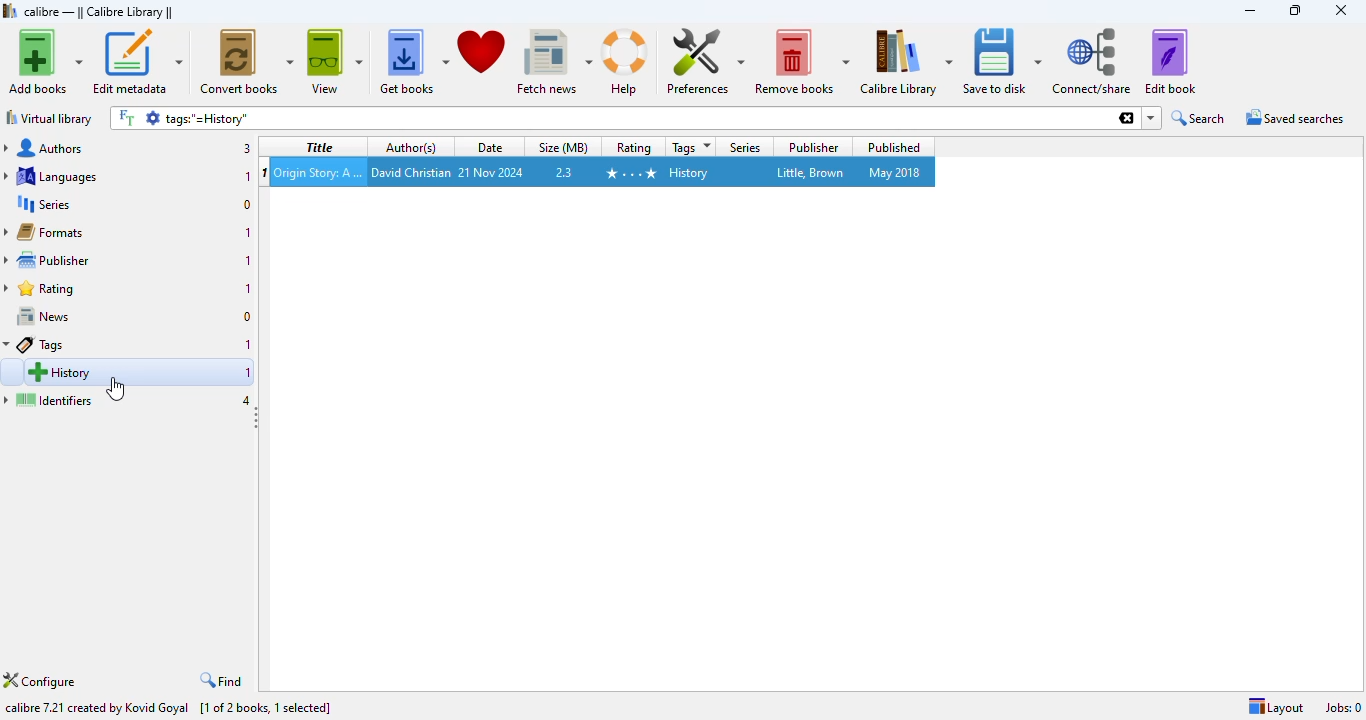  Describe the element at coordinates (1093, 60) in the screenshot. I see `connect/share` at that location.